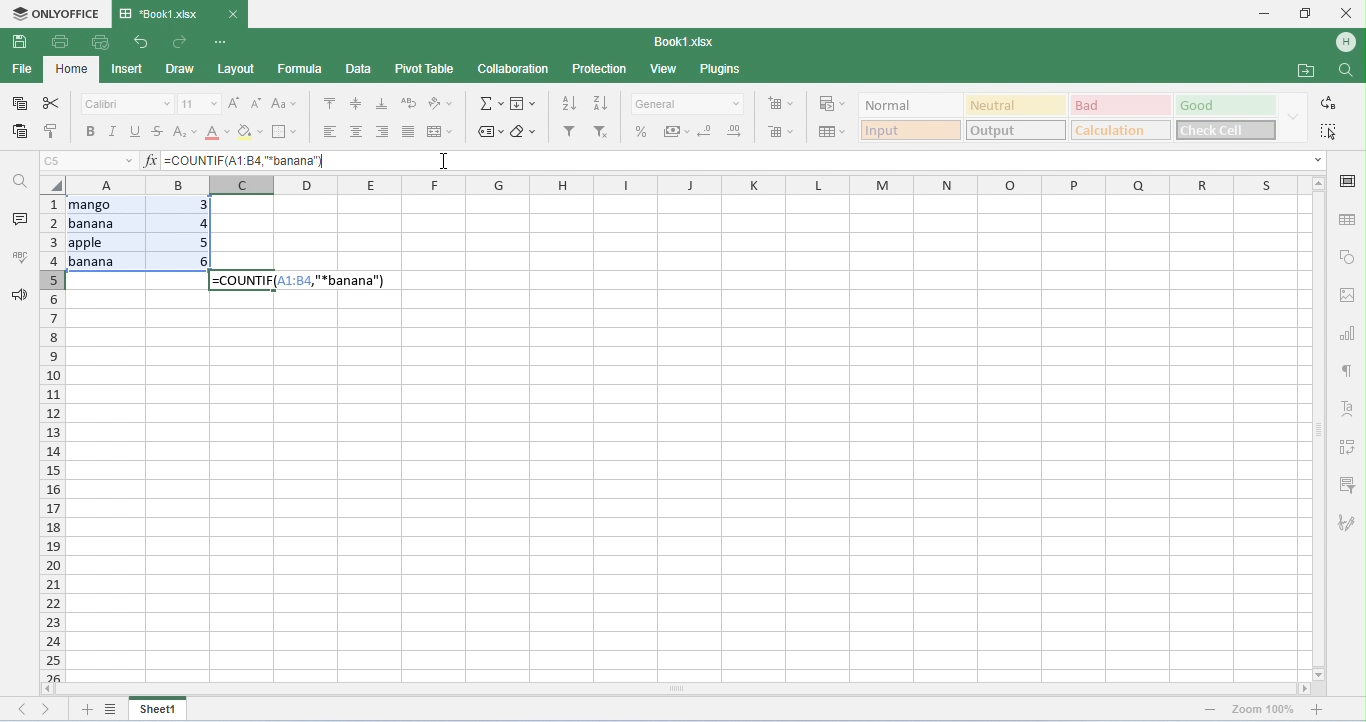 The height and width of the screenshot is (722, 1366). Describe the element at coordinates (150, 160) in the screenshot. I see `insert function` at that location.